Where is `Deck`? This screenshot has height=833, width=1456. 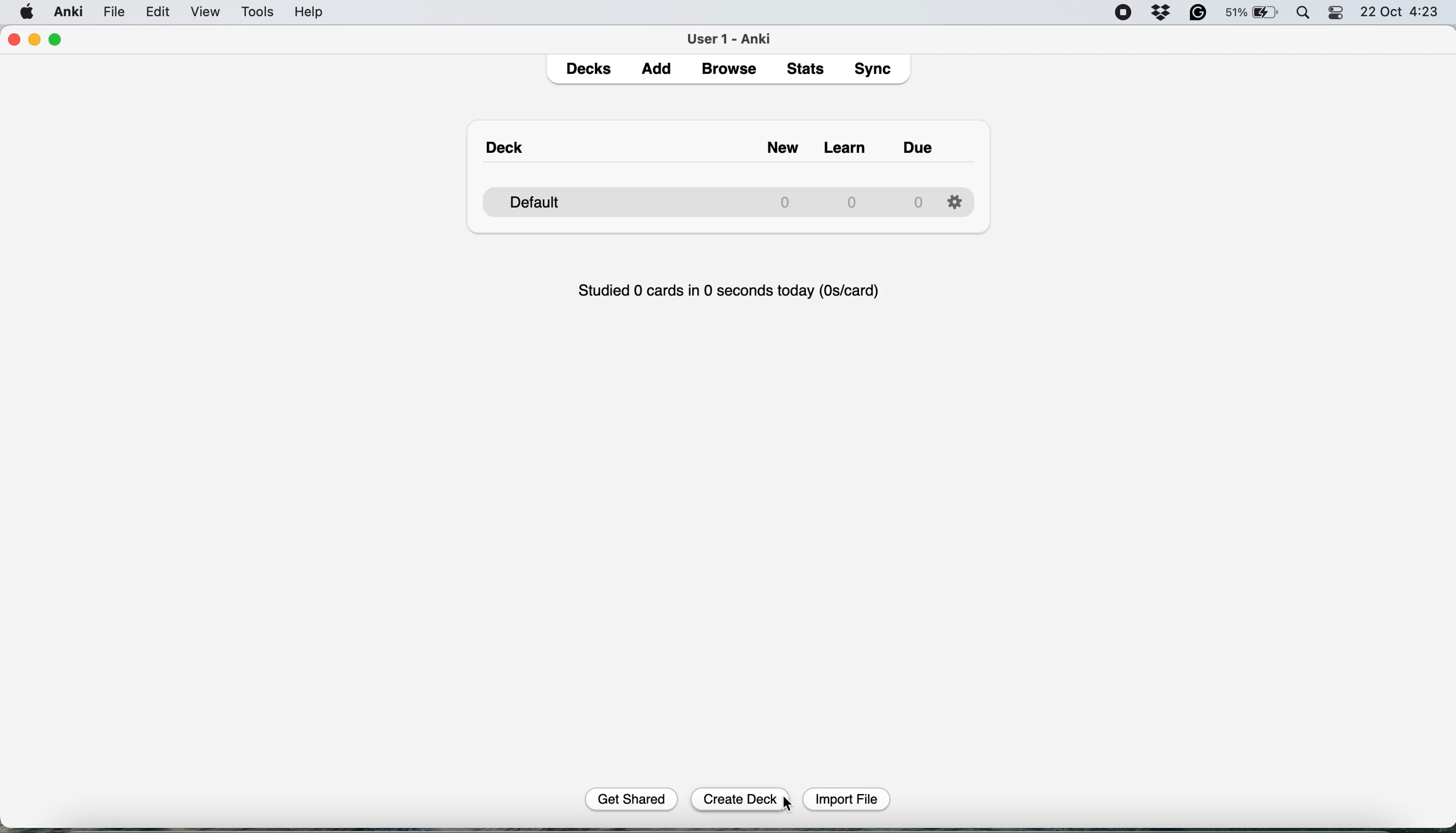 Deck is located at coordinates (510, 141).